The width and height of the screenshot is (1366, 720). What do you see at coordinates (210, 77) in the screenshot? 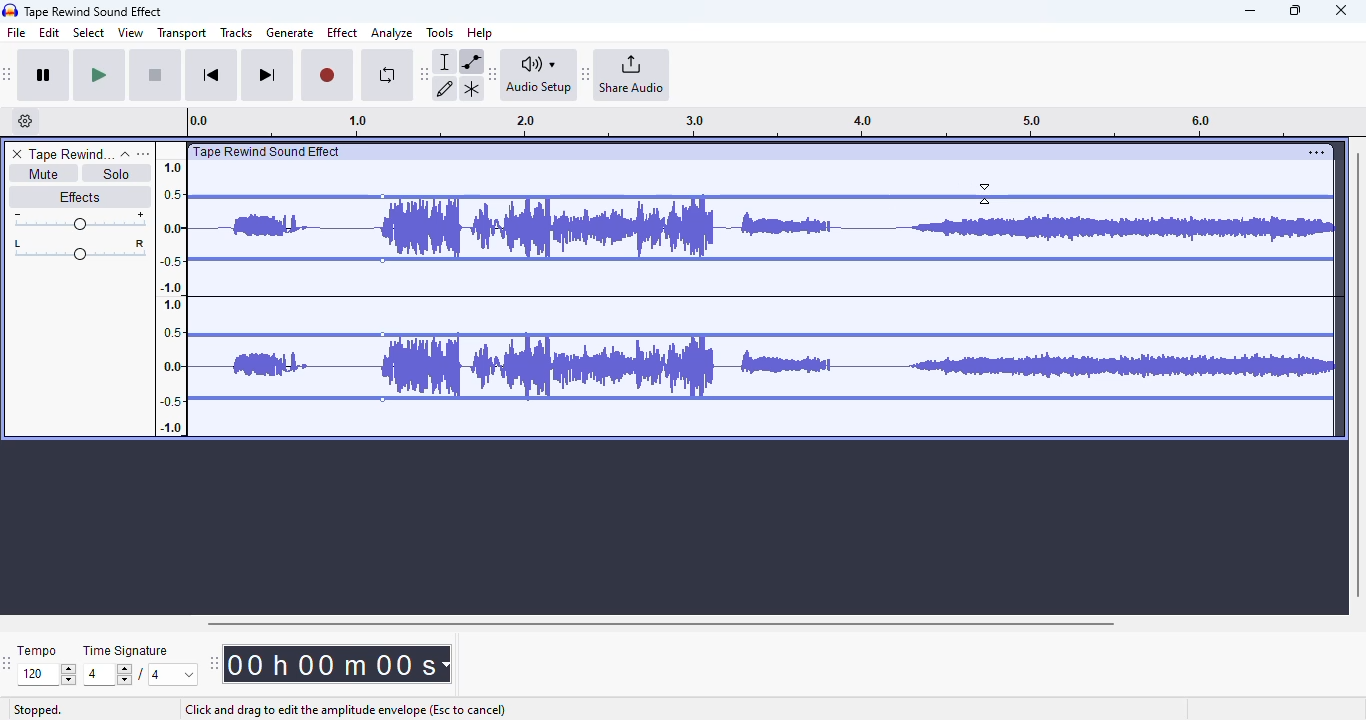
I see `skip to start` at bounding box center [210, 77].